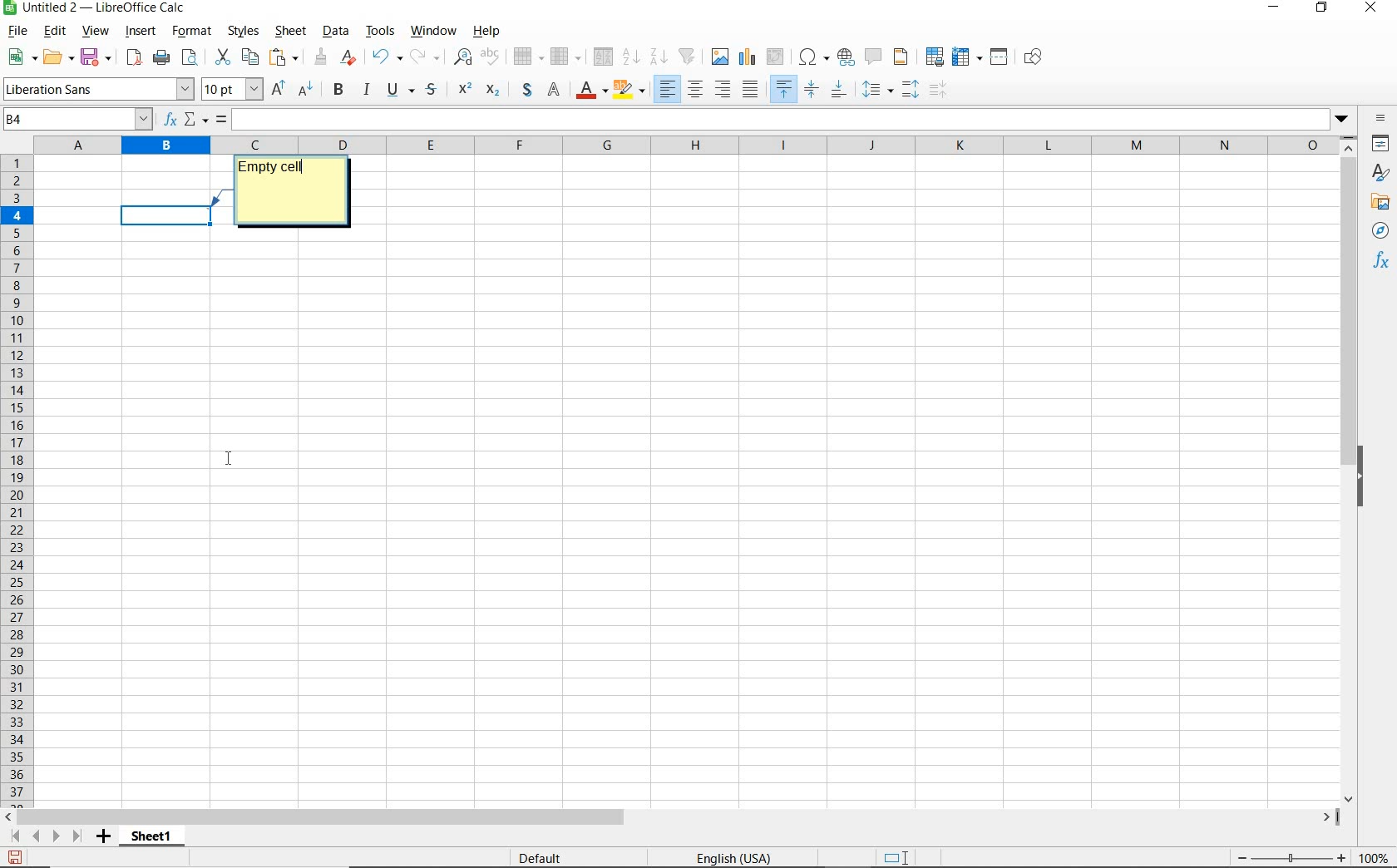  What do you see at coordinates (45, 838) in the screenshot?
I see `scroll to next sheet` at bounding box center [45, 838].